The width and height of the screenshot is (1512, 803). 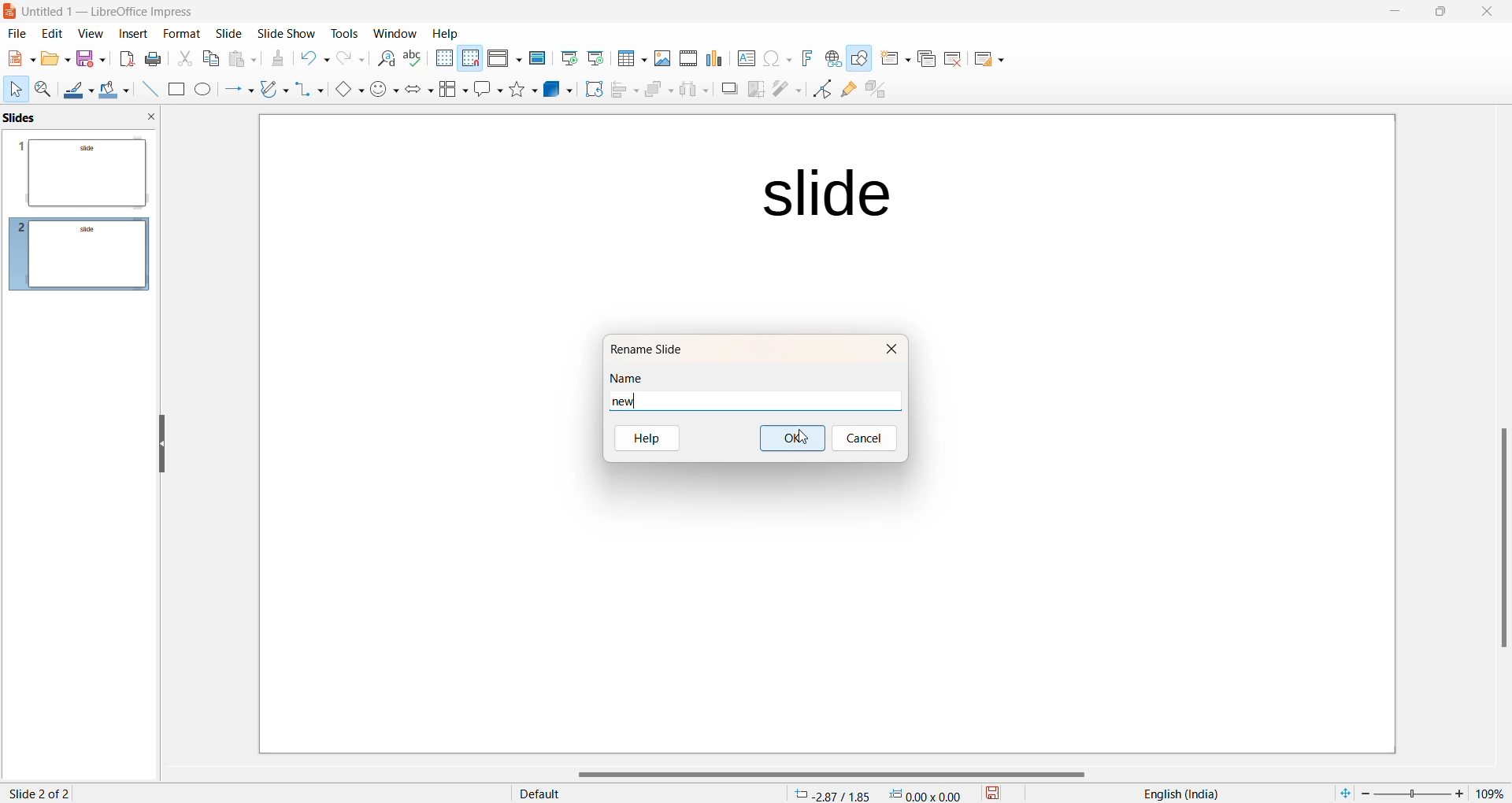 What do you see at coordinates (31, 117) in the screenshot?
I see `slide preview pane` at bounding box center [31, 117].